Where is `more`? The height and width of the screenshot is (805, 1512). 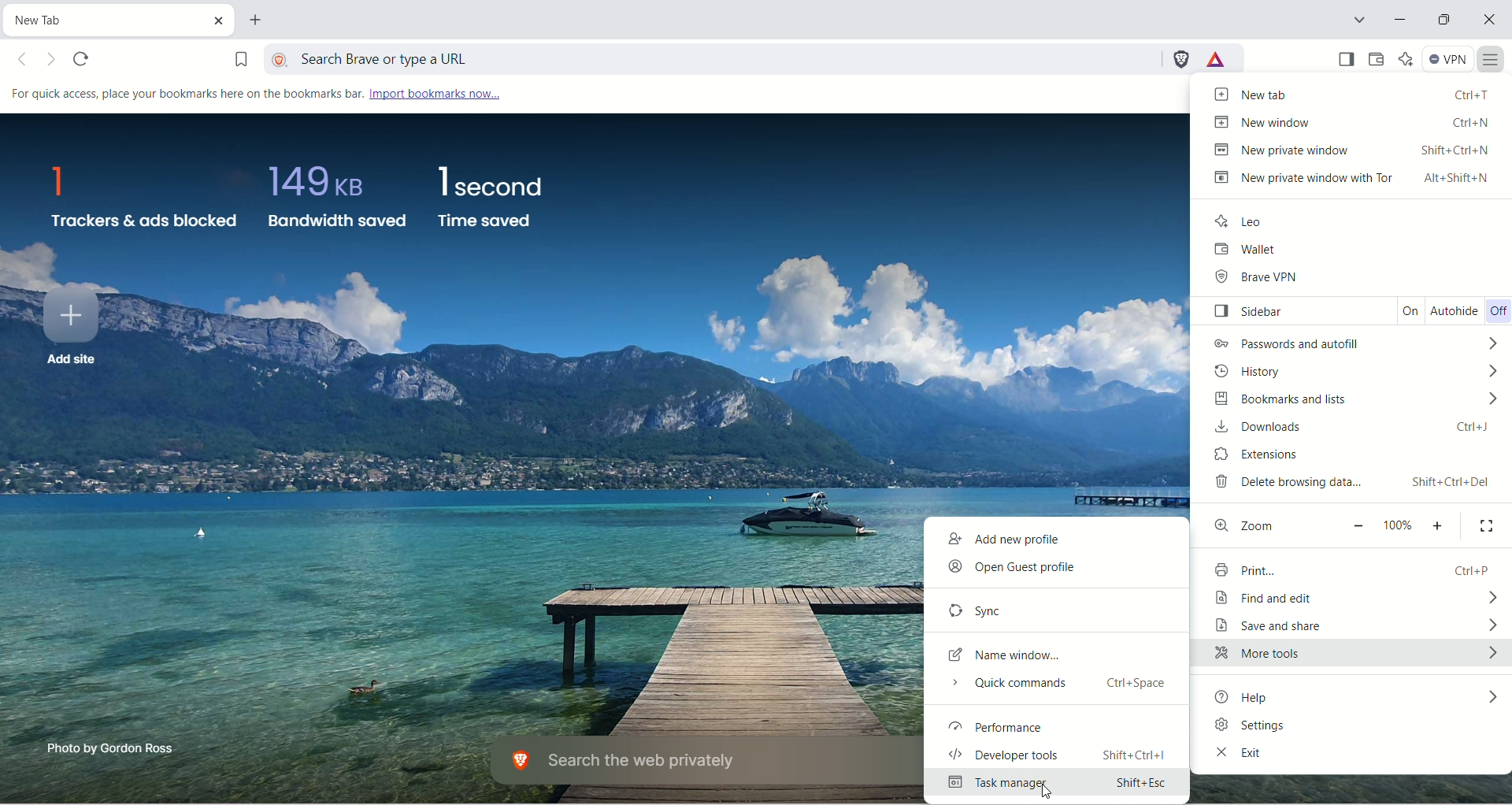
more is located at coordinates (1492, 61).